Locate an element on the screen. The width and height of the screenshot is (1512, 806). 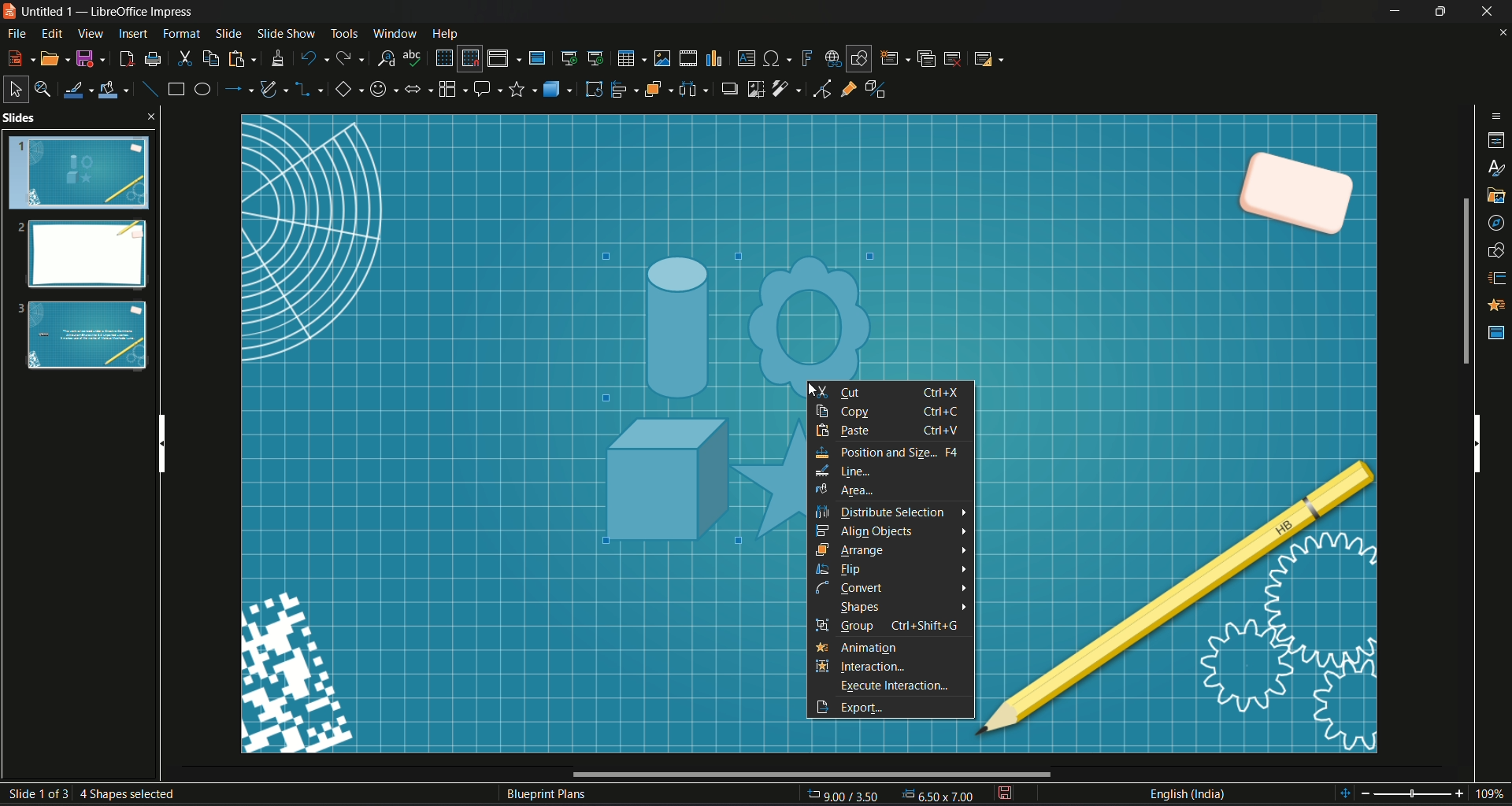
redo is located at coordinates (350, 57).